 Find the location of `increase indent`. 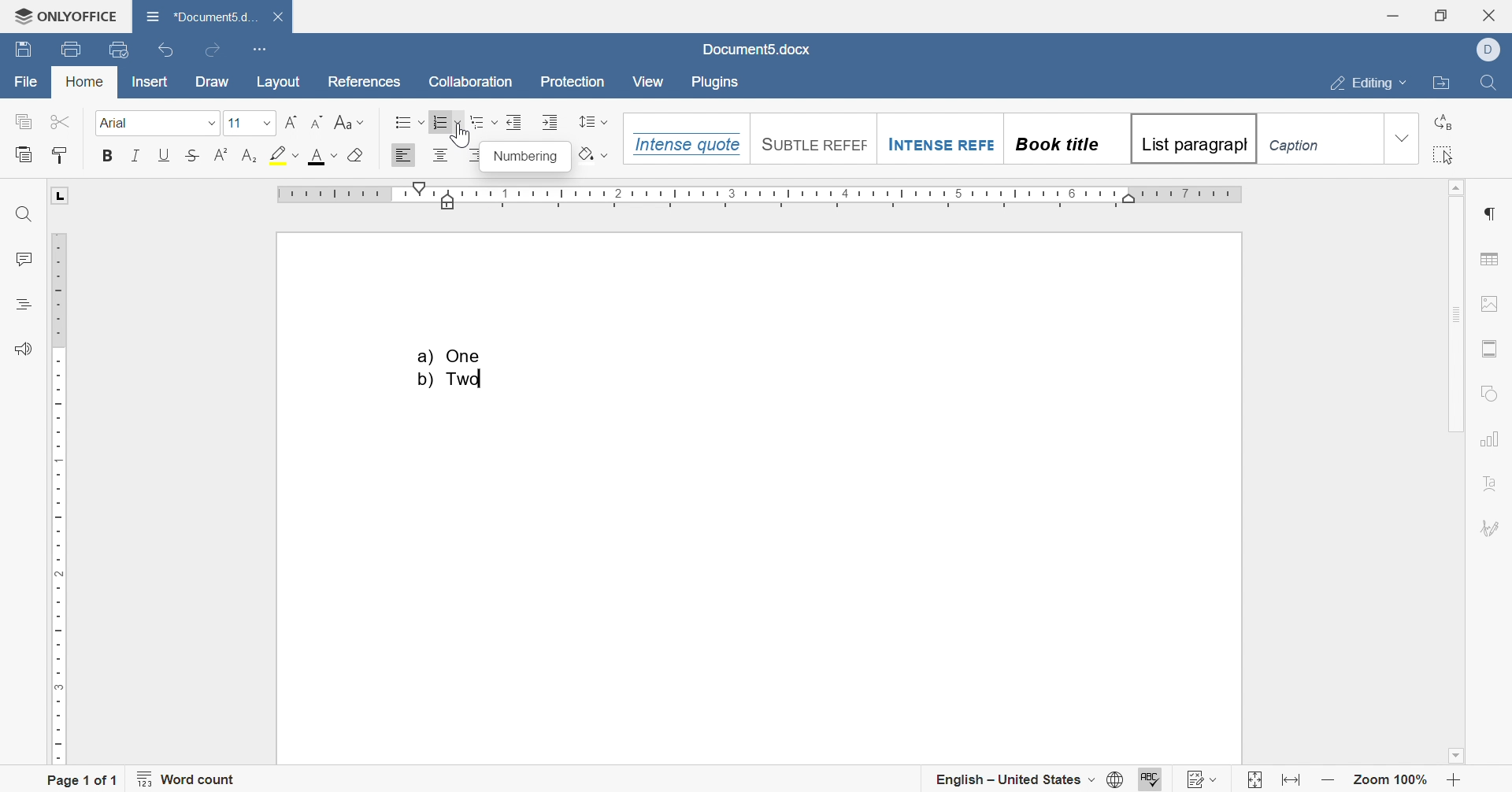

increase indent is located at coordinates (551, 121).